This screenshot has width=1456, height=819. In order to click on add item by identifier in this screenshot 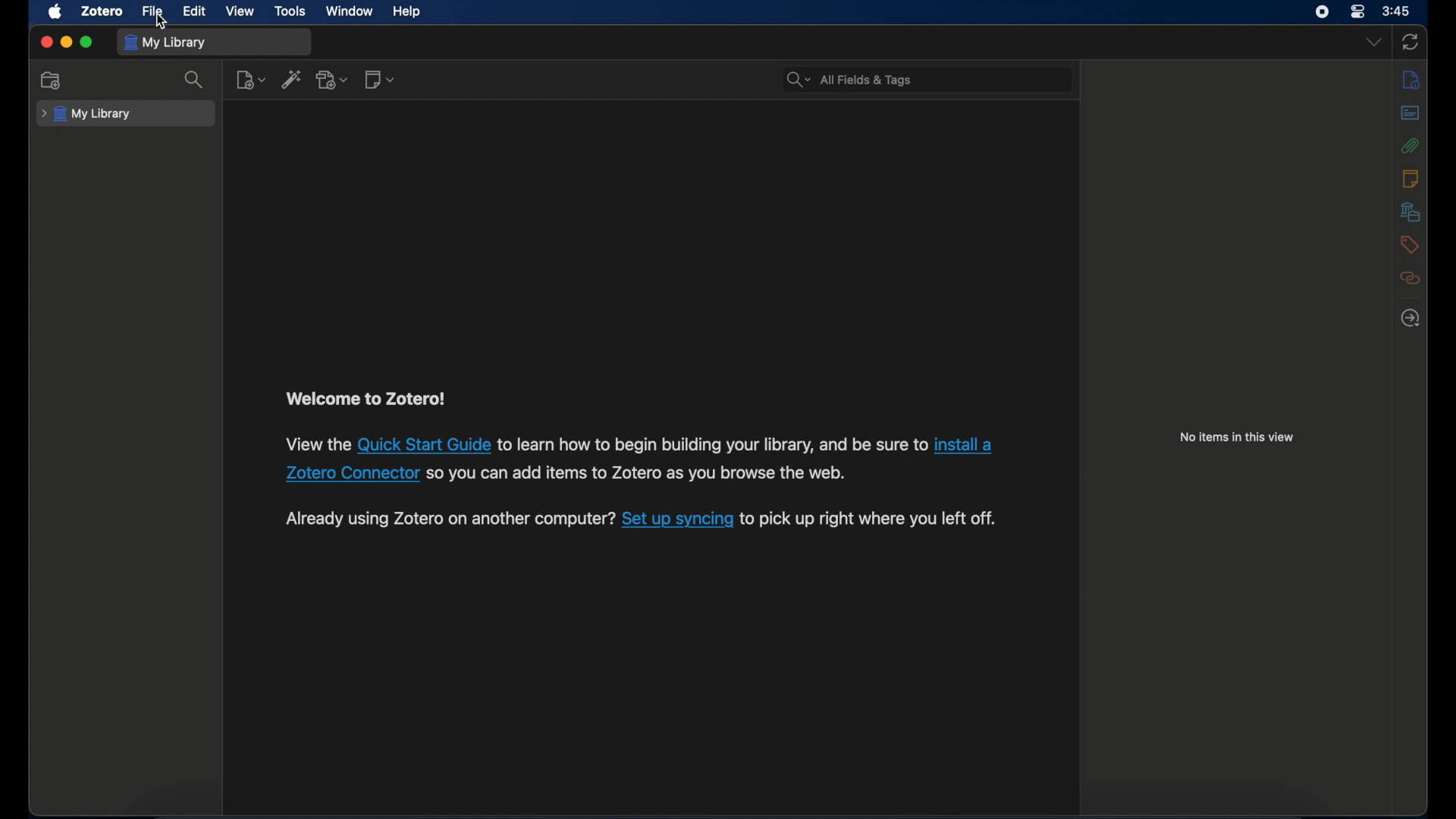, I will do `click(293, 81)`.